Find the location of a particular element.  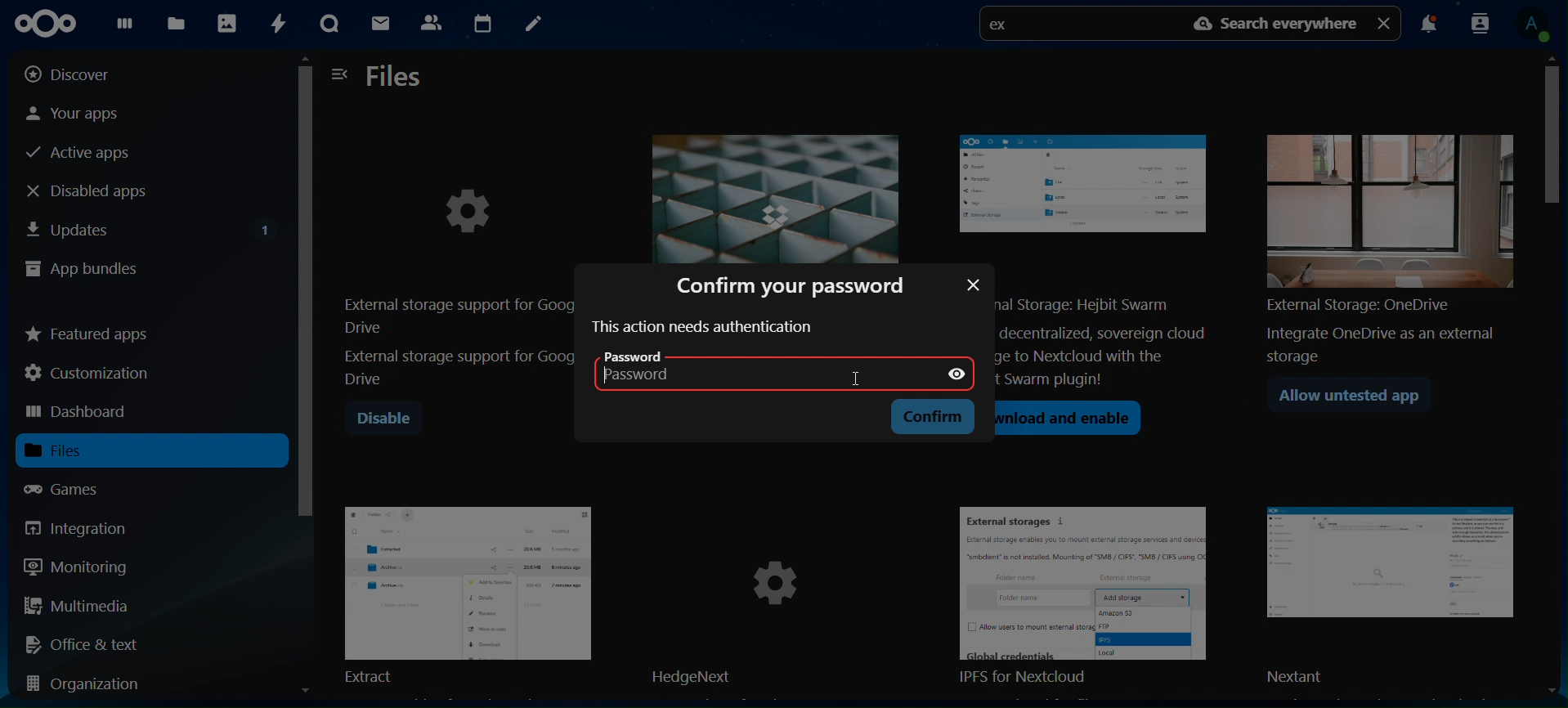

icon is located at coordinates (52, 24).